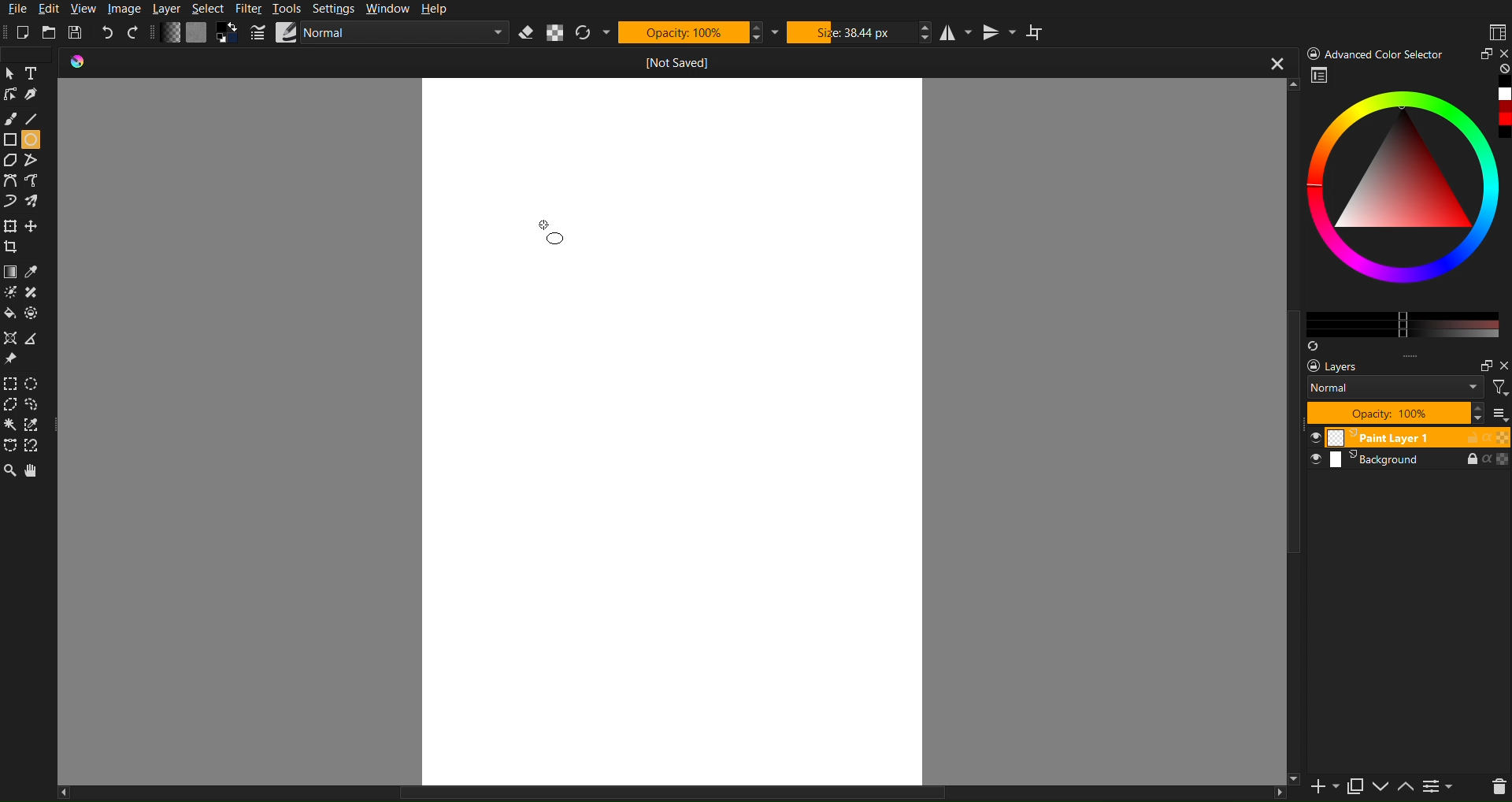  Describe the element at coordinates (9, 338) in the screenshot. I see `Shape` at that location.